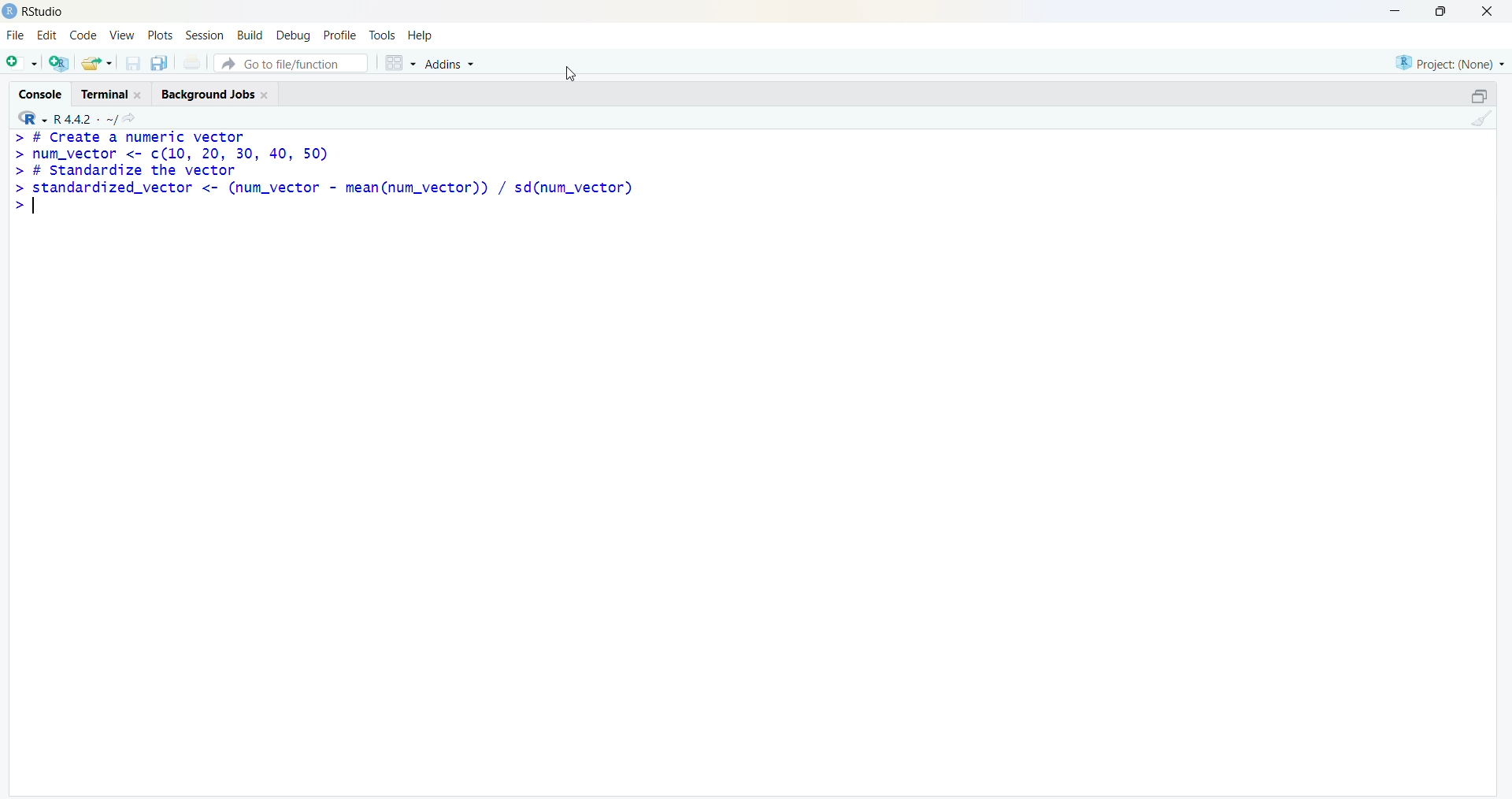 The width and height of the screenshot is (1512, 799). Describe the element at coordinates (206, 35) in the screenshot. I see `session` at that location.